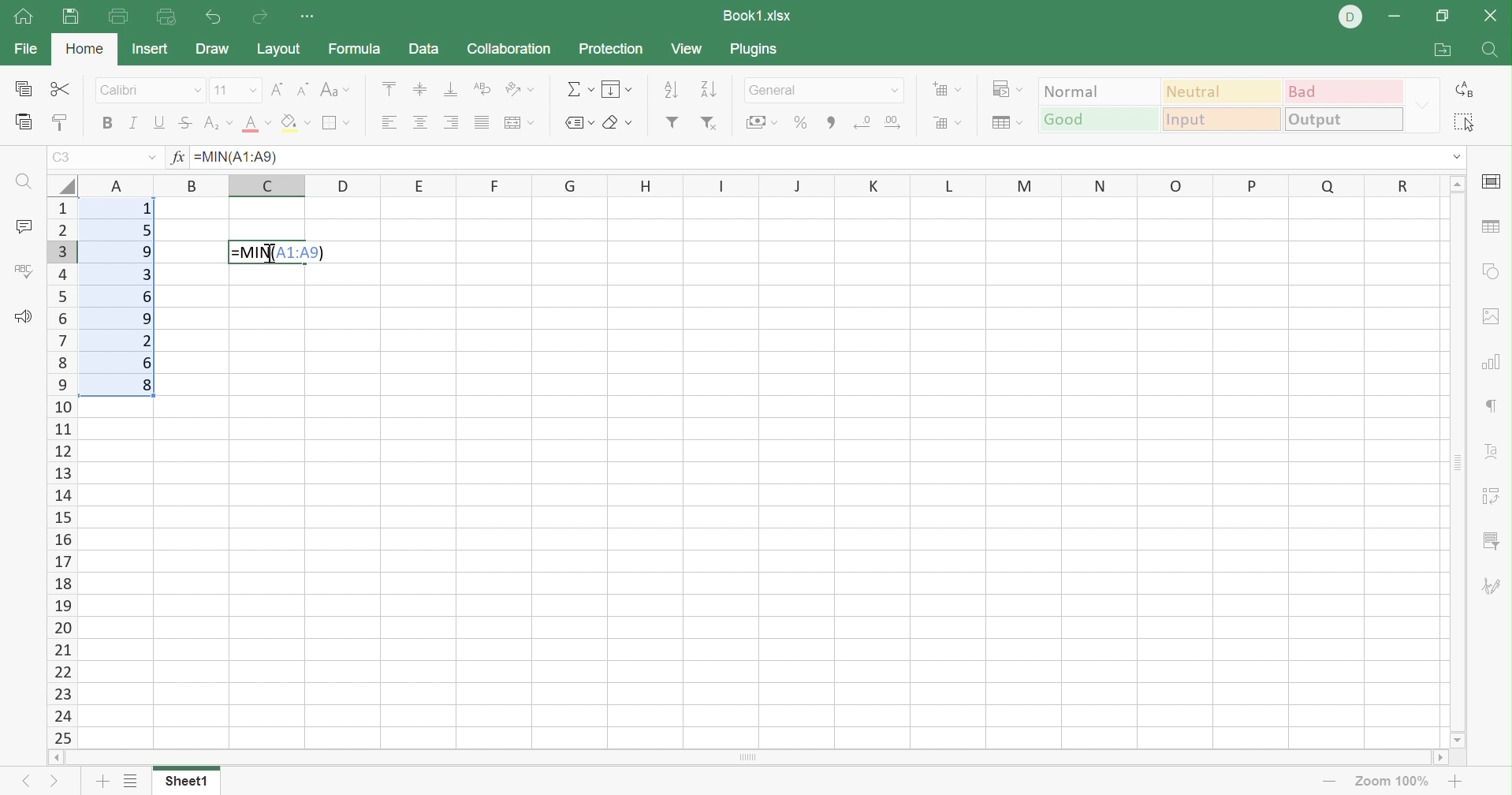  What do you see at coordinates (1492, 52) in the screenshot?
I see `Find` at bounding box center [1492, 52].